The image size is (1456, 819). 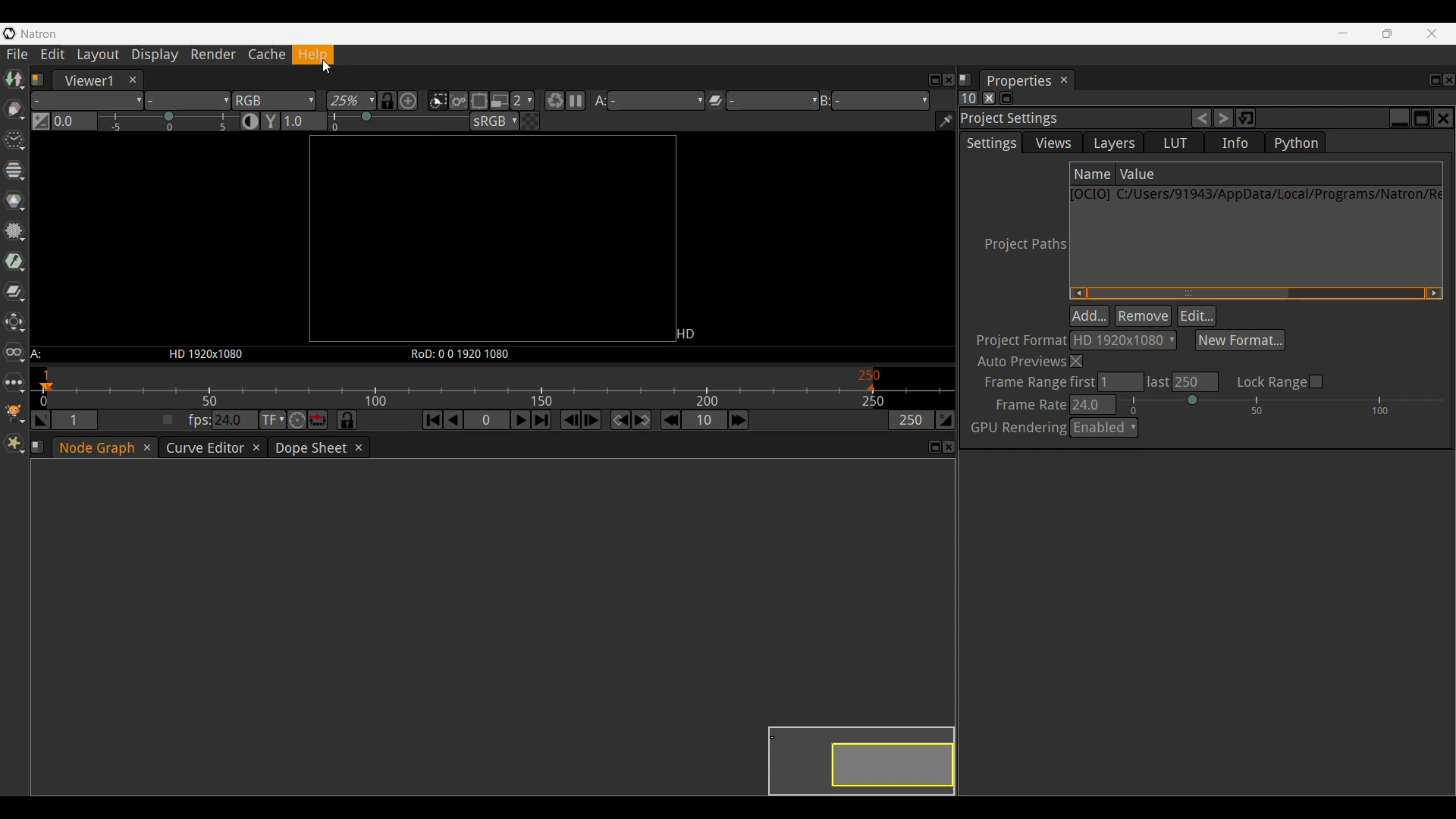 I want to click on Layers settings, so click(x=1112, y=142).